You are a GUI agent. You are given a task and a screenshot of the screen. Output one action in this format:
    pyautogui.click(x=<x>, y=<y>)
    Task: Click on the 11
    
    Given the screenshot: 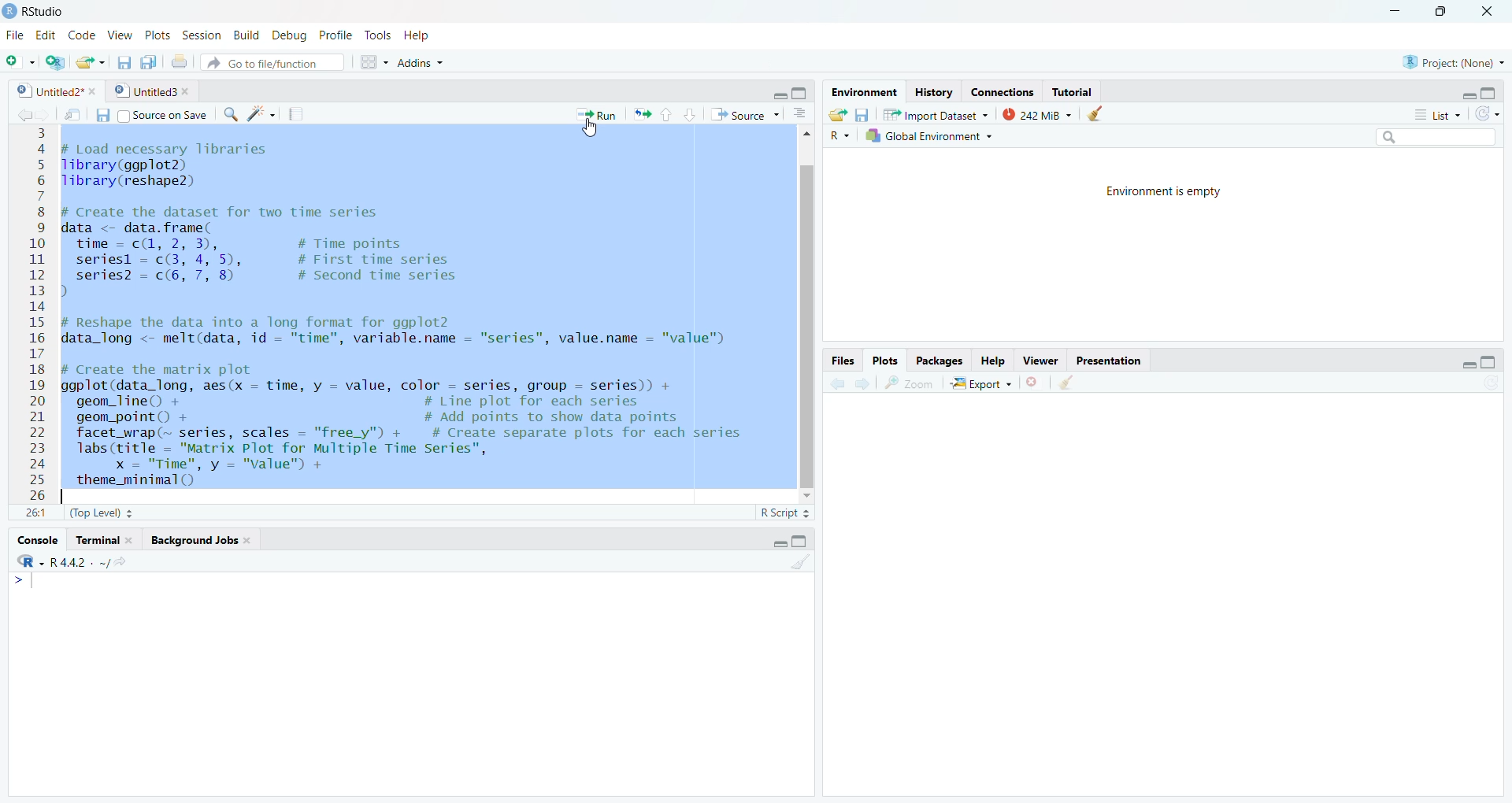 What is the action you would take?
    pyautogui.click(x=36, y=513)
    